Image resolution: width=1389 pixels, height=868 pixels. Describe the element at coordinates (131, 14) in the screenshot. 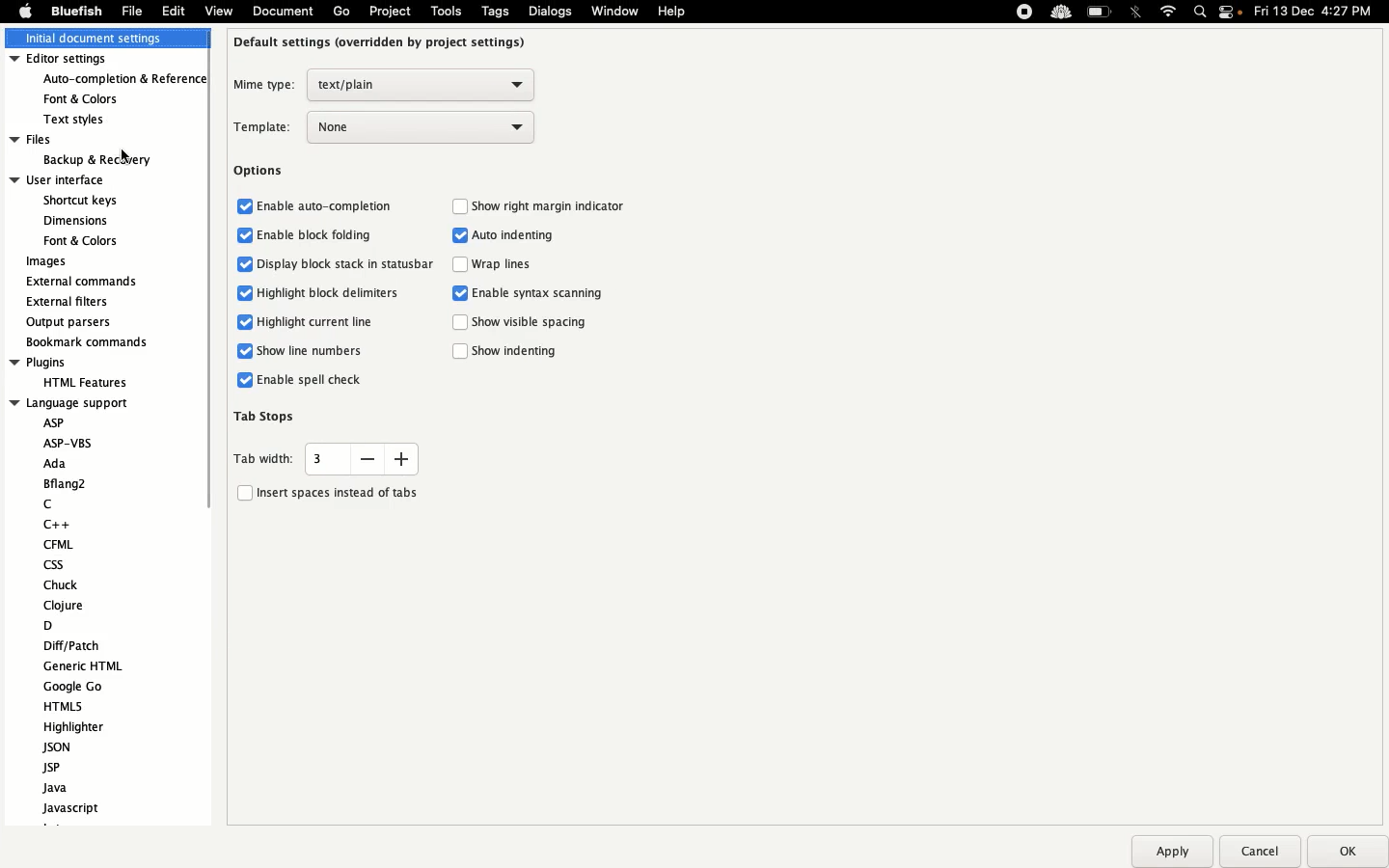

I see `File` at that location.